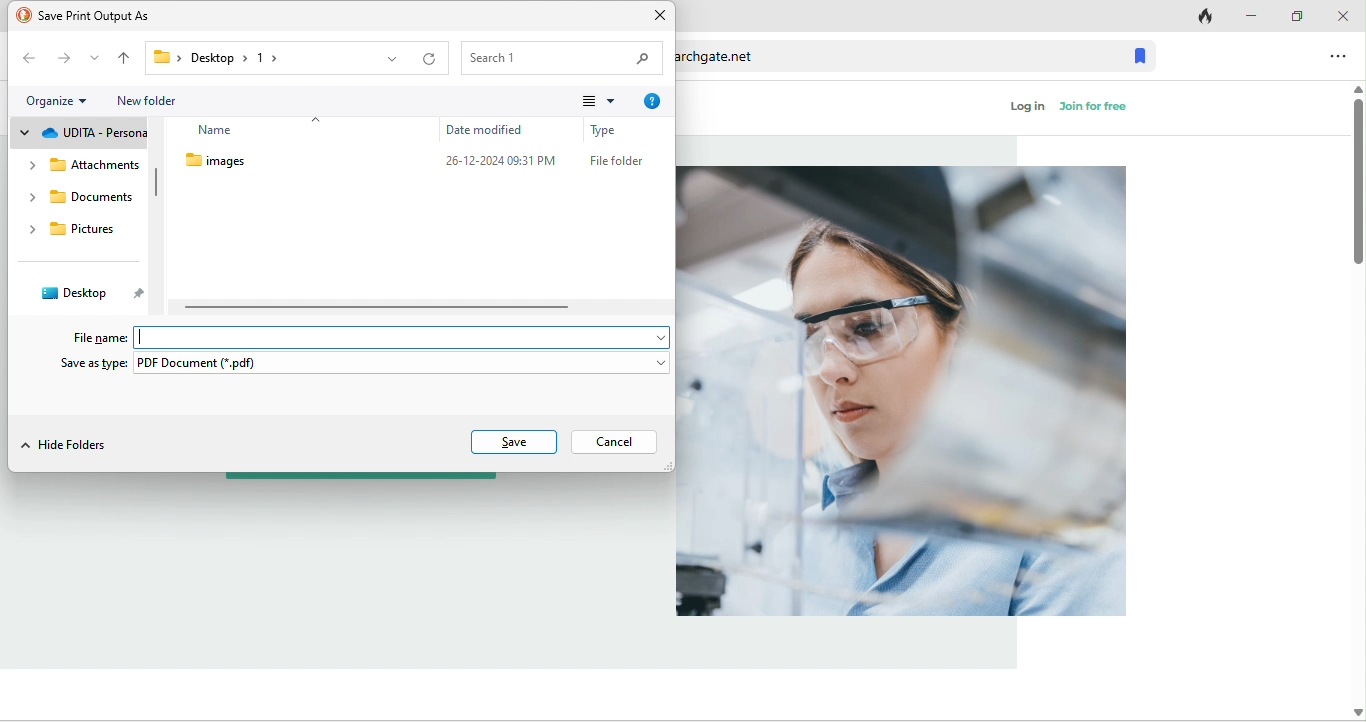 This screenshot has height=722, width=1366. I want to click on search bar, so click(563, 57).